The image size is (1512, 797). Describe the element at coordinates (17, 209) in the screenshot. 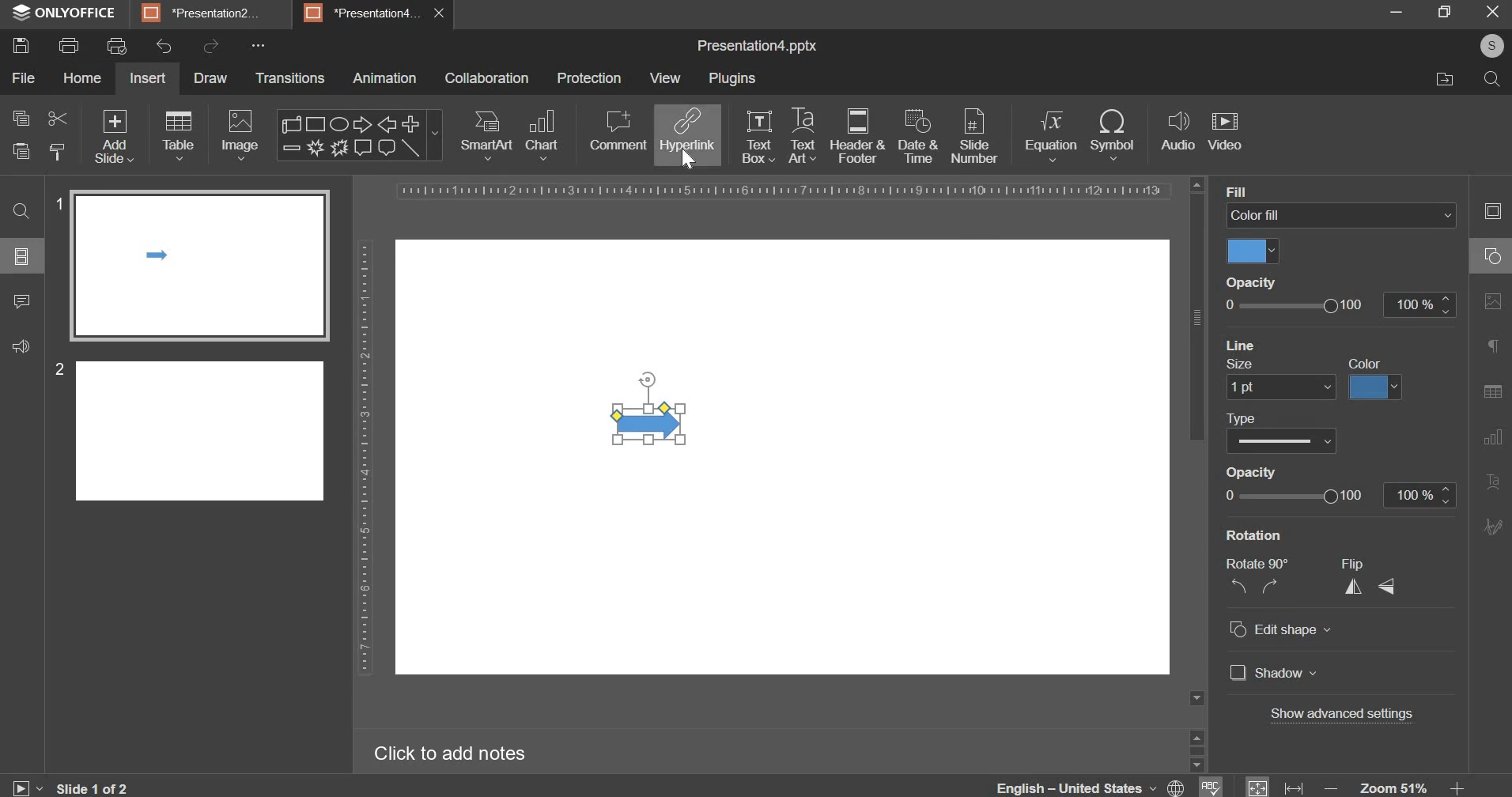

I see `search` at that location.